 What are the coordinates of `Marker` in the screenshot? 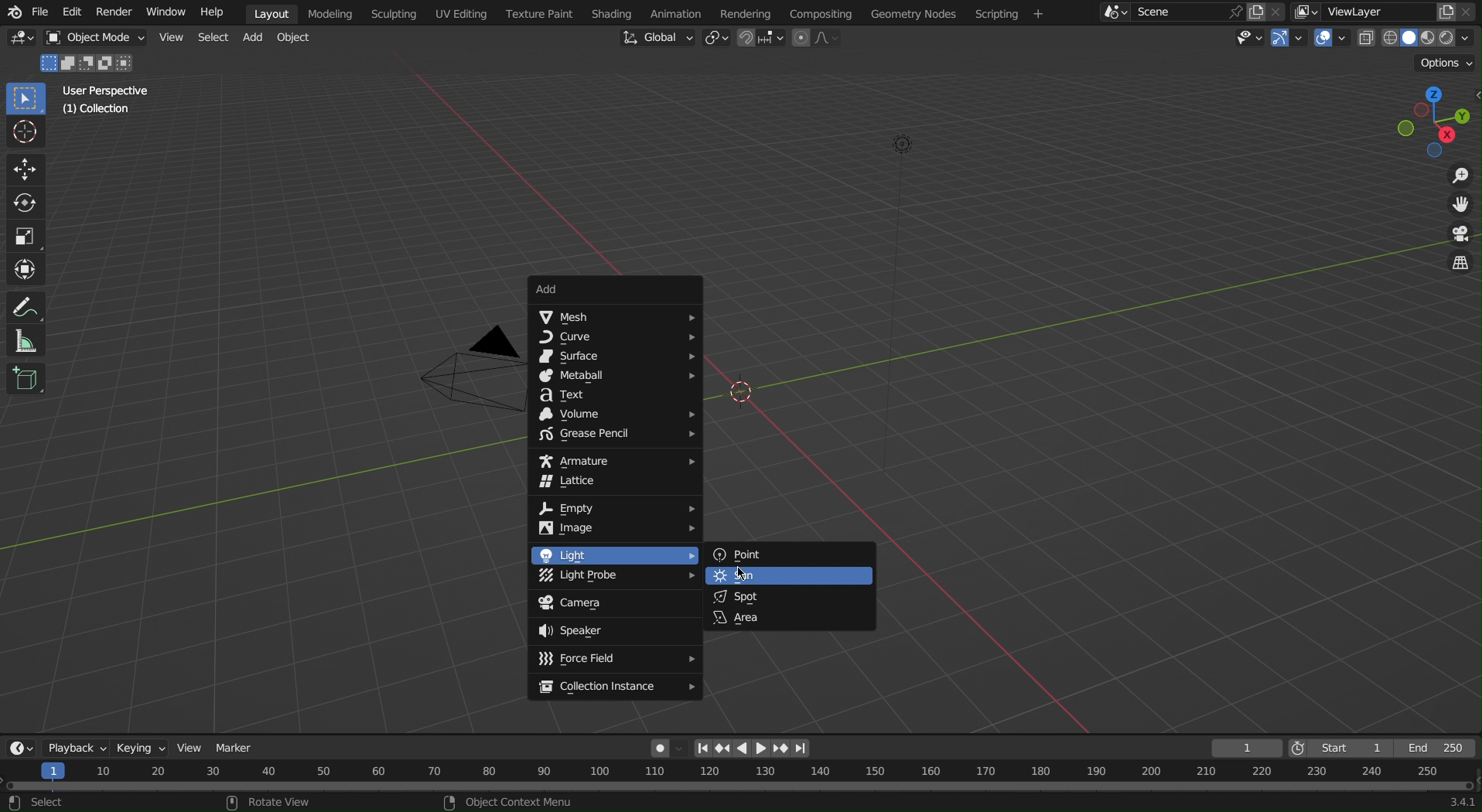 It's located at (237, 747).